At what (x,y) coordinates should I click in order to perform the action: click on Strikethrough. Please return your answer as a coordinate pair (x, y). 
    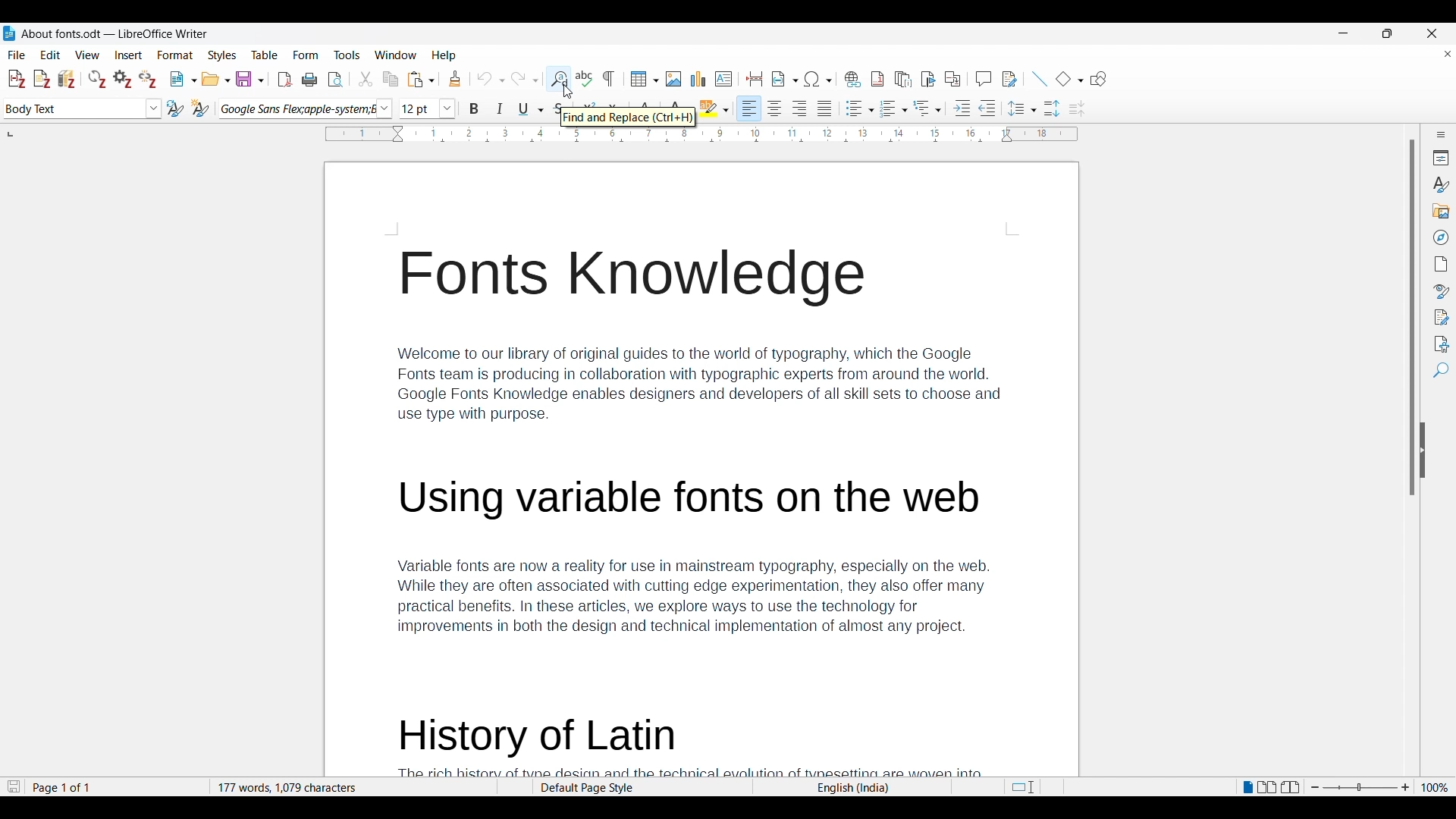
    Looking at the image, I should click on (557, 110).